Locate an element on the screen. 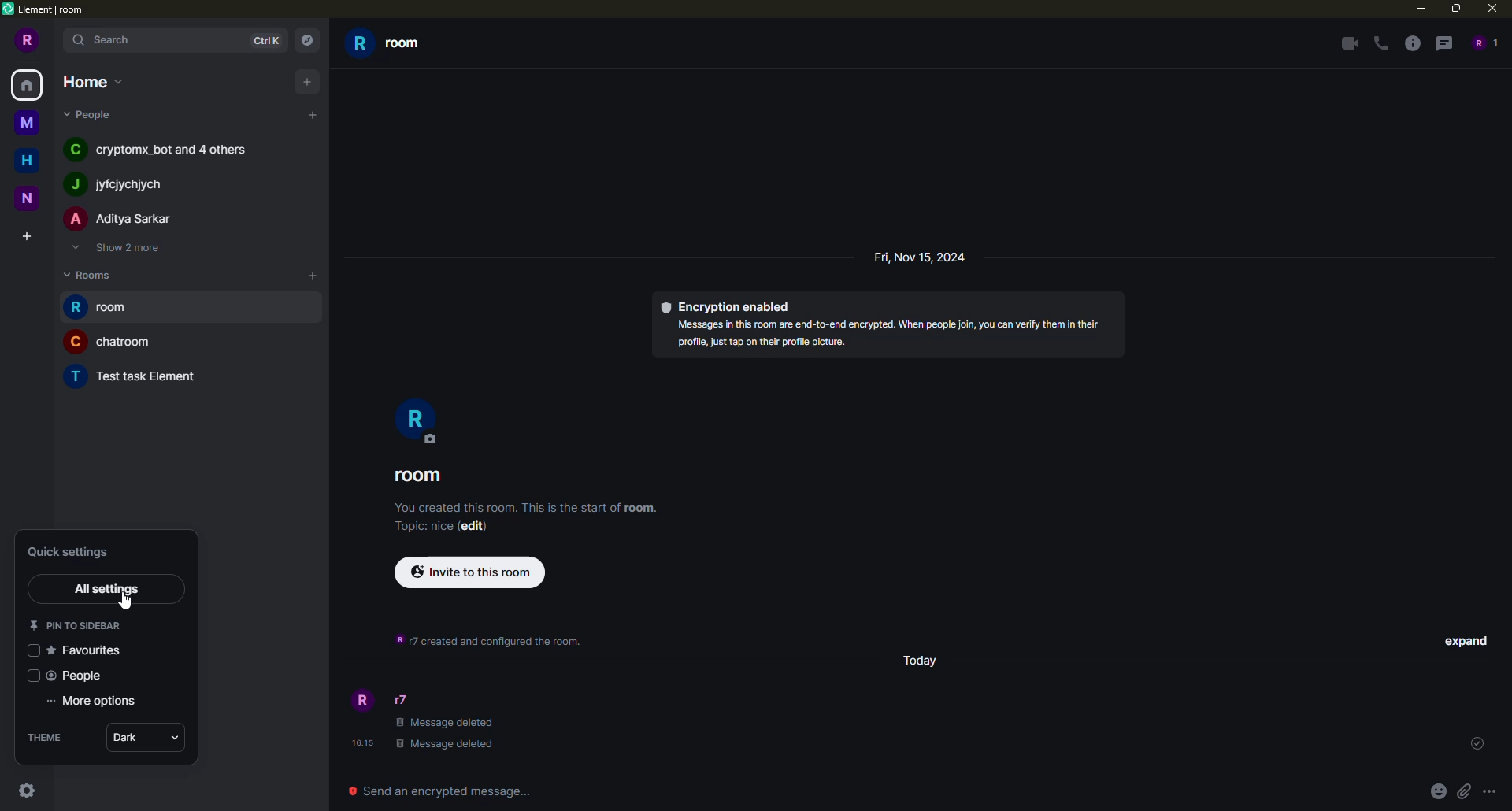 The image size is (1512, 811). rooms is located at coordinates (94, 273).